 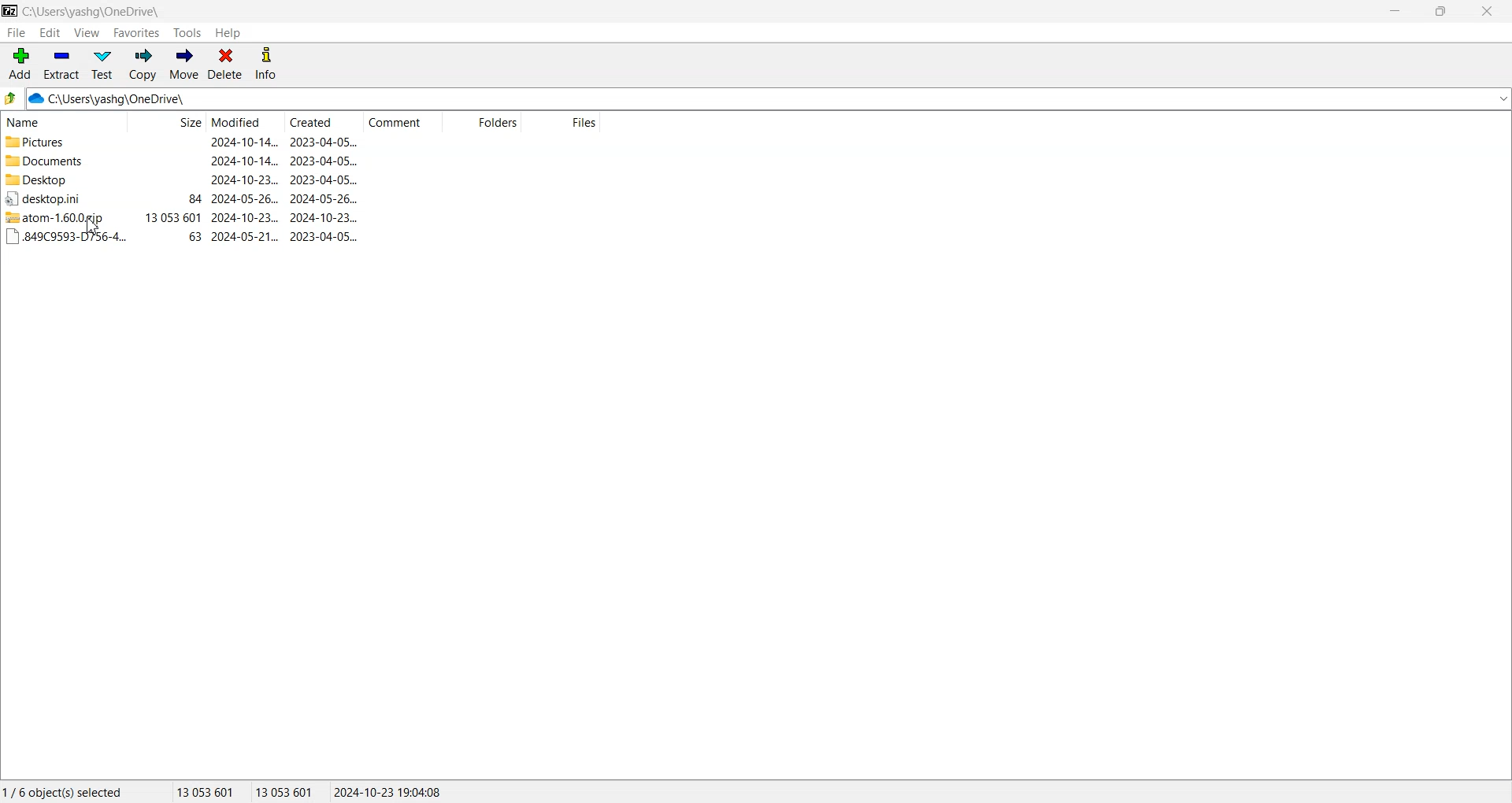 I want to click on Comment, so click(x=402, y=123).